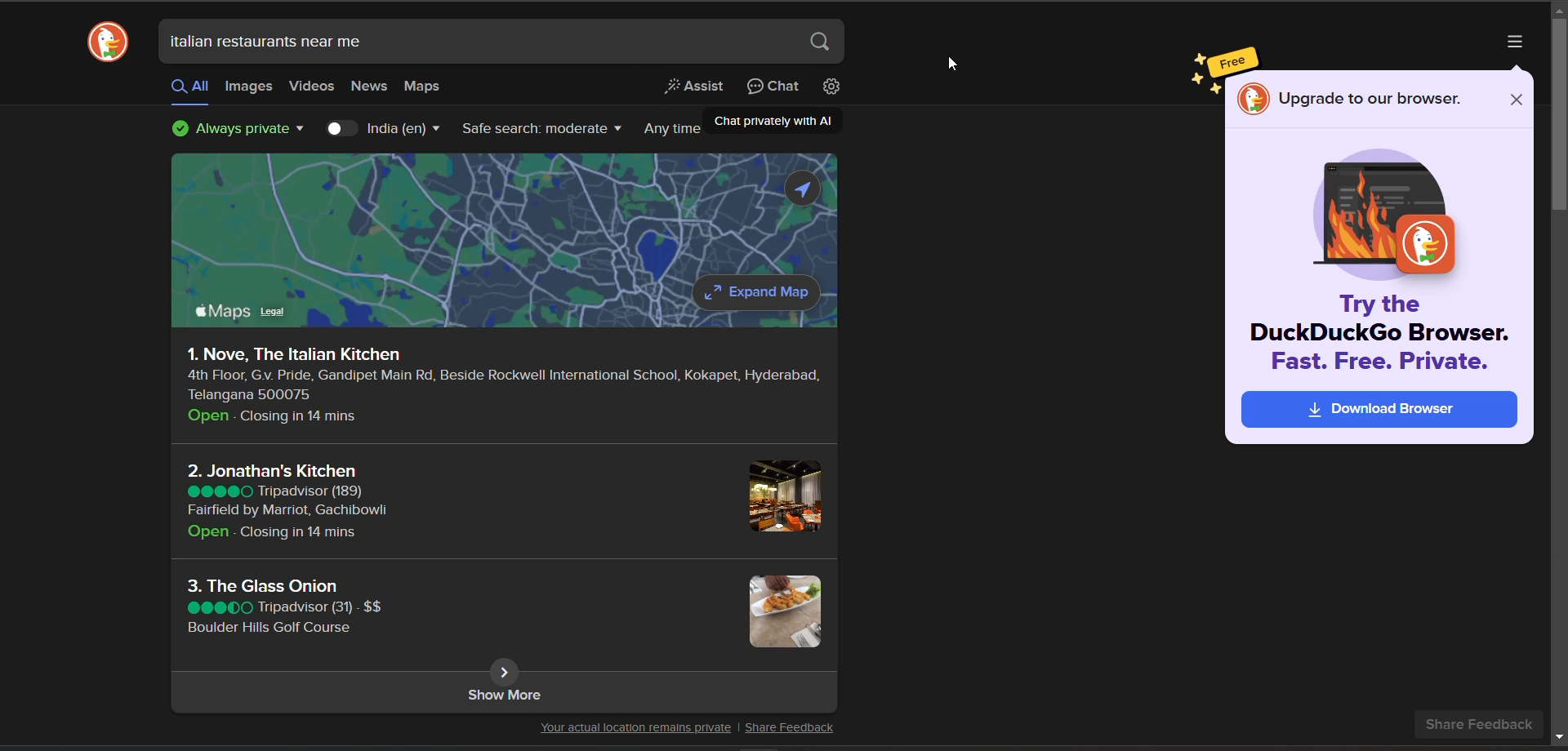 The image size is (1568, 751). I want to click on Free, so click(1232, 62).